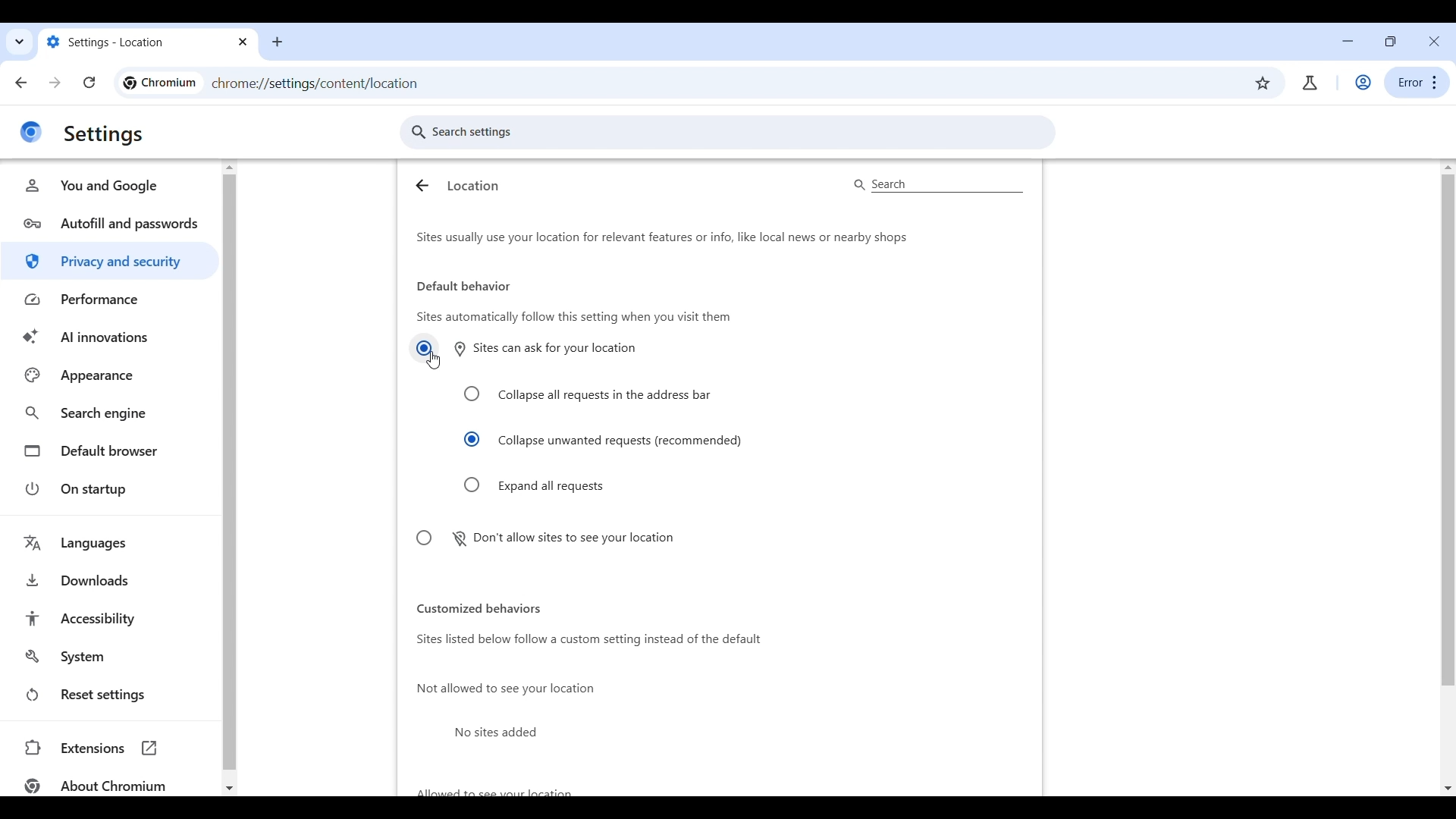 Image resolution: width=1456 pixels, height=819 pixels. Describe the element at coordinates (332, 84) in the screenshot. I see `chrome://settings/content/location` at that location.